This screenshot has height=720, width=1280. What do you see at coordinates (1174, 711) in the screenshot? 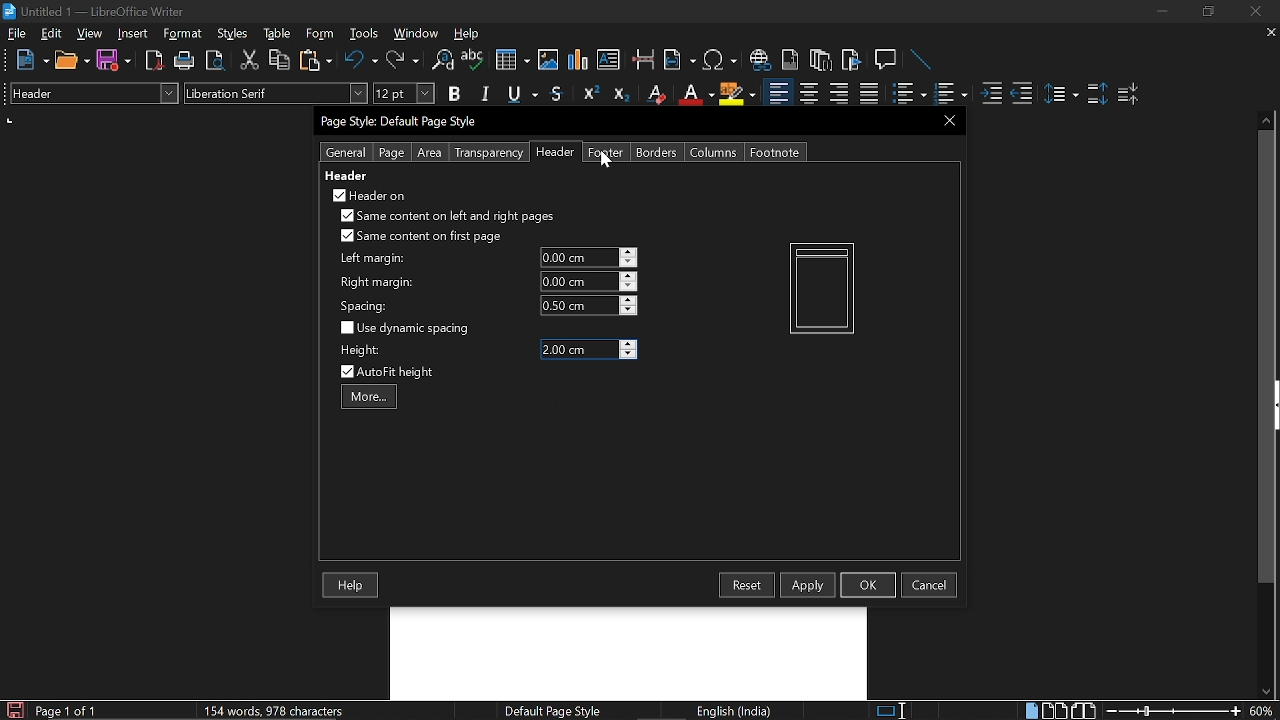
I see `Change zoom` at bounding box center [1174, 711].